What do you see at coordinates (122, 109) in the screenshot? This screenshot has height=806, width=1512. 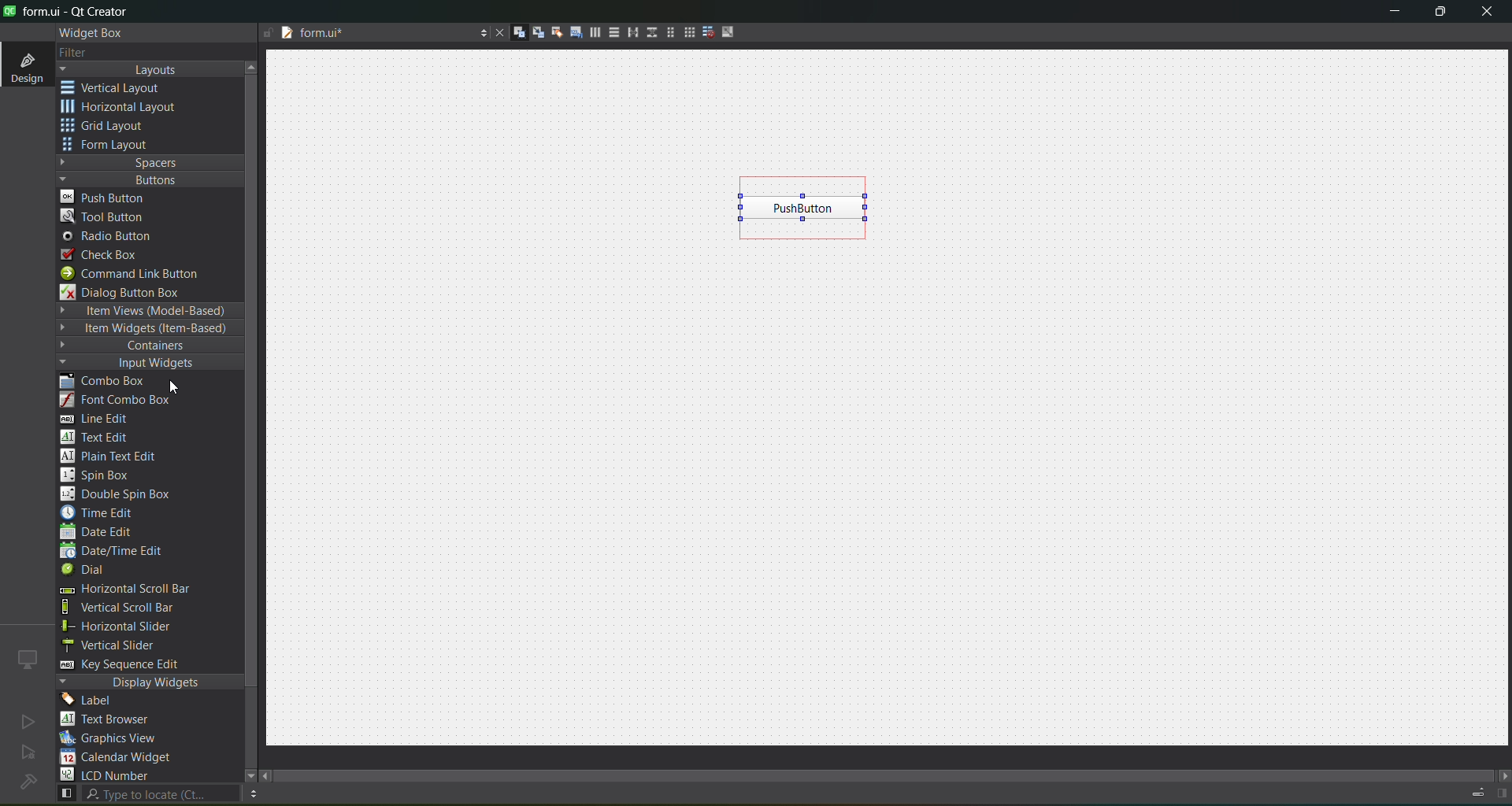 I see `horizontal` at bounding box center [122, 109].